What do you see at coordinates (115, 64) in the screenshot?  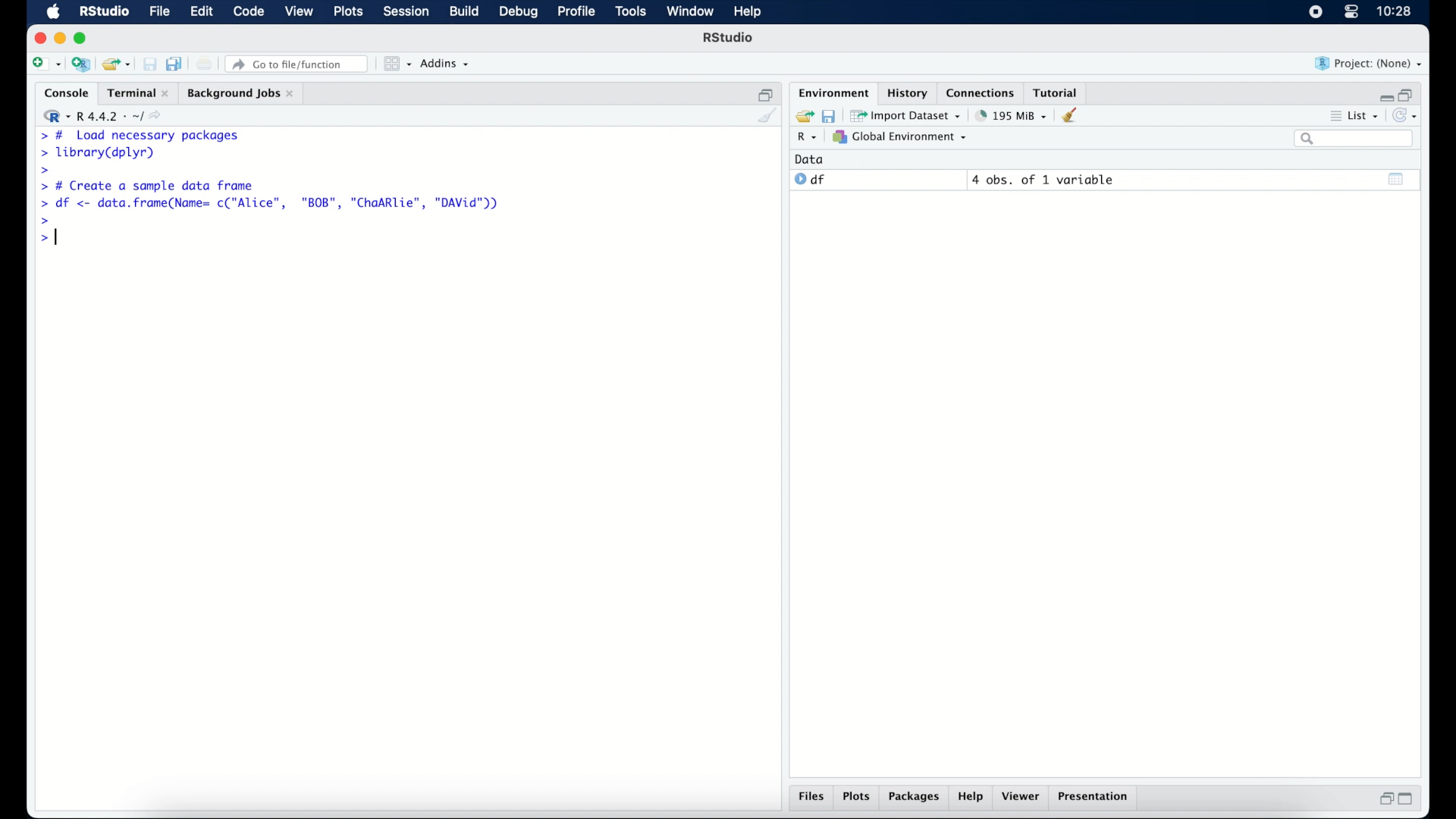 I see `load existing project` at bounding box center [115, 64].